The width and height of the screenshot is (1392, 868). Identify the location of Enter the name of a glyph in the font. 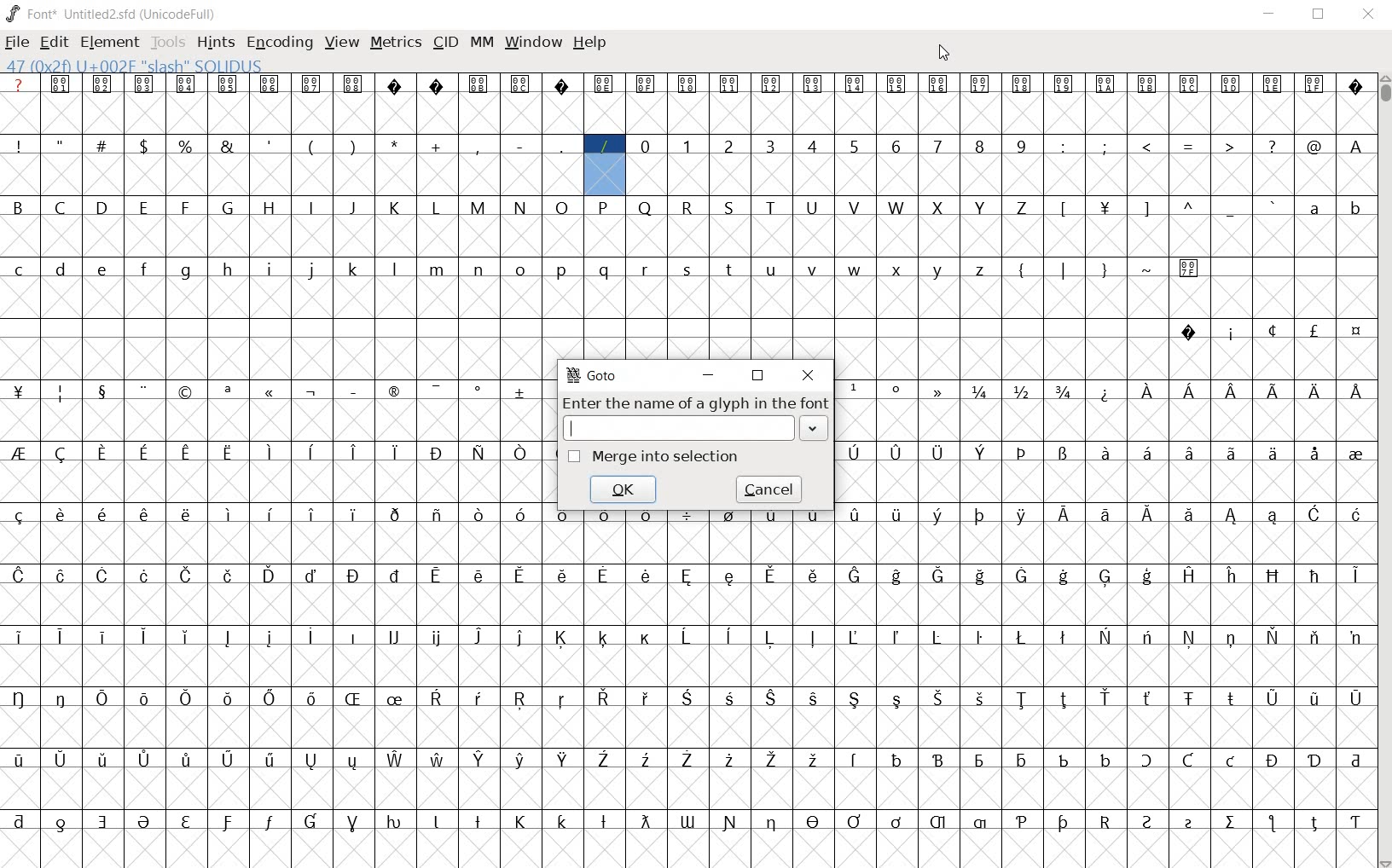
(696, 403).